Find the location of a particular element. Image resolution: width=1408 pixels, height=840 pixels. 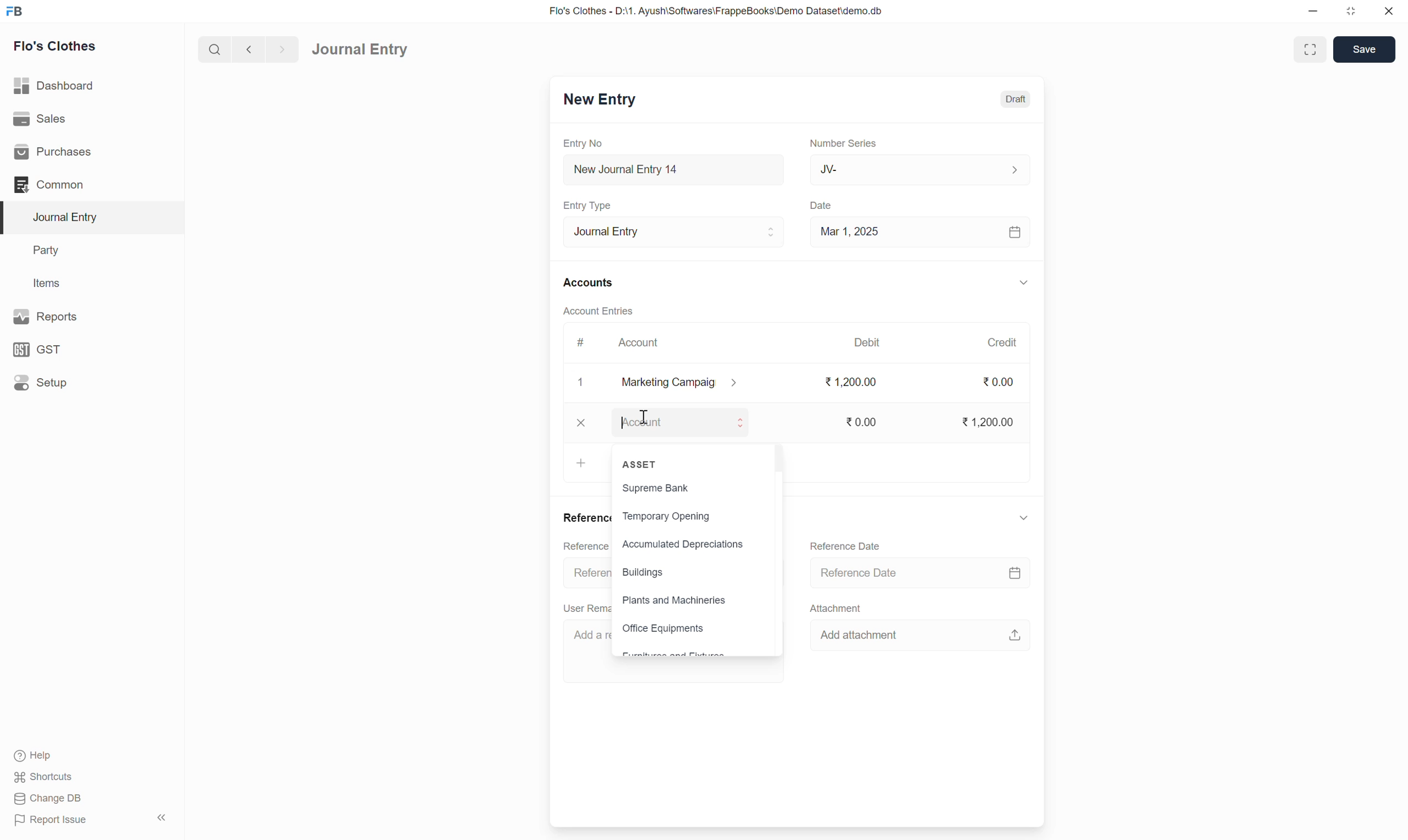

back is located at coordinates (246, 49).